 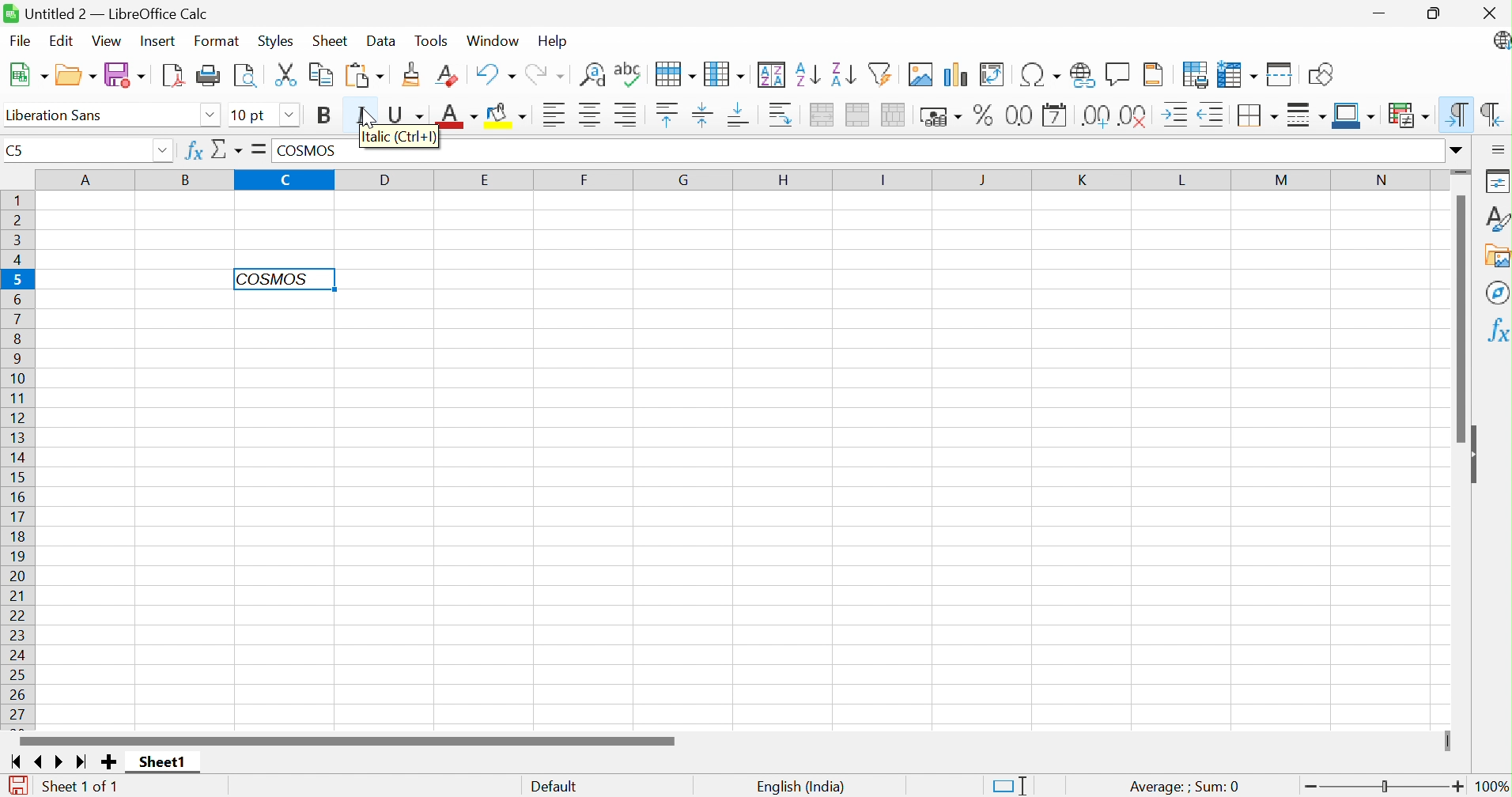 What do you see at coordinates (165, 149) in the screenshot?
I see `Drop down` at bounding box center [165, 149].